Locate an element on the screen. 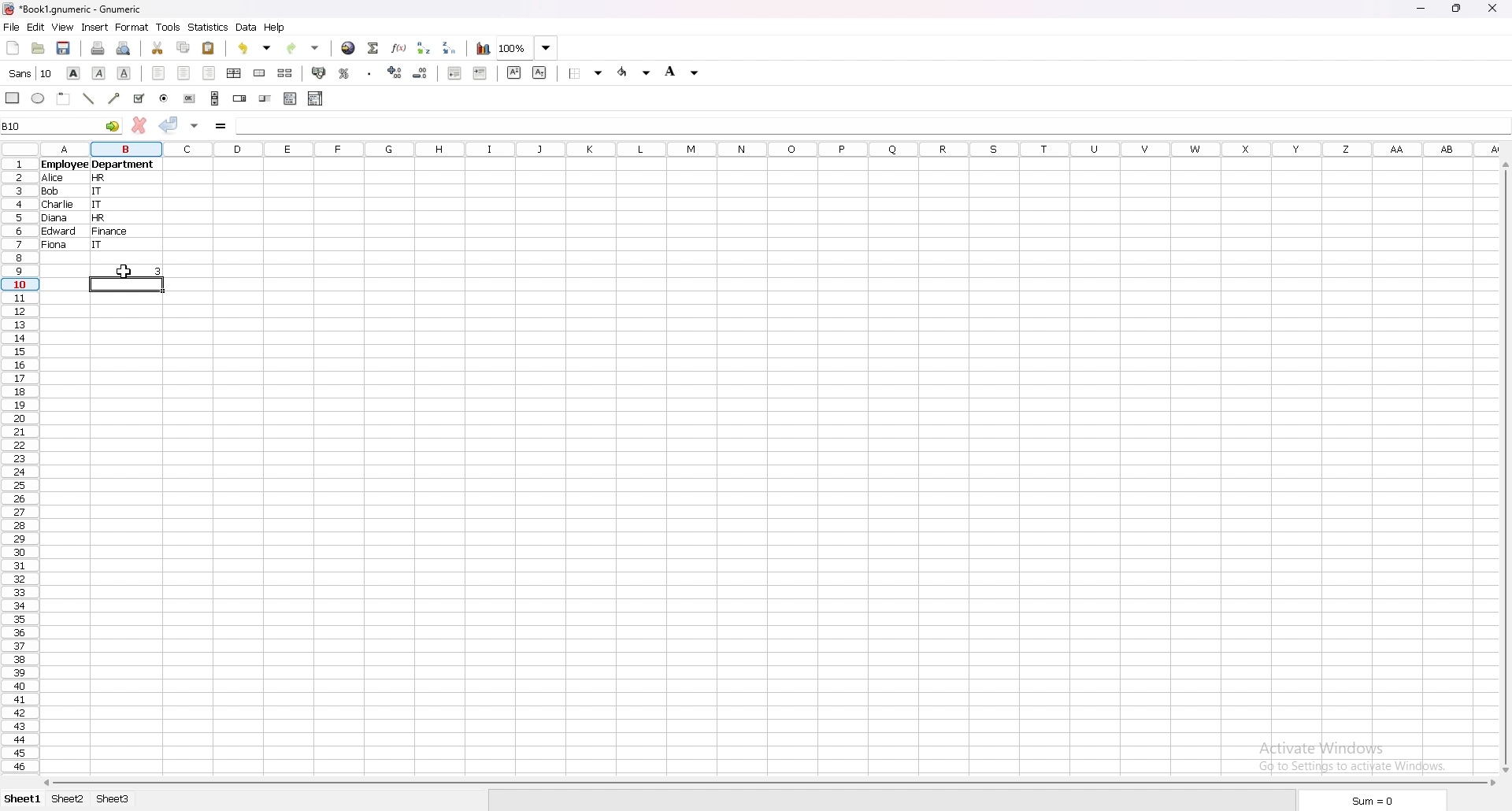  format is located at coordinates (132, 28).